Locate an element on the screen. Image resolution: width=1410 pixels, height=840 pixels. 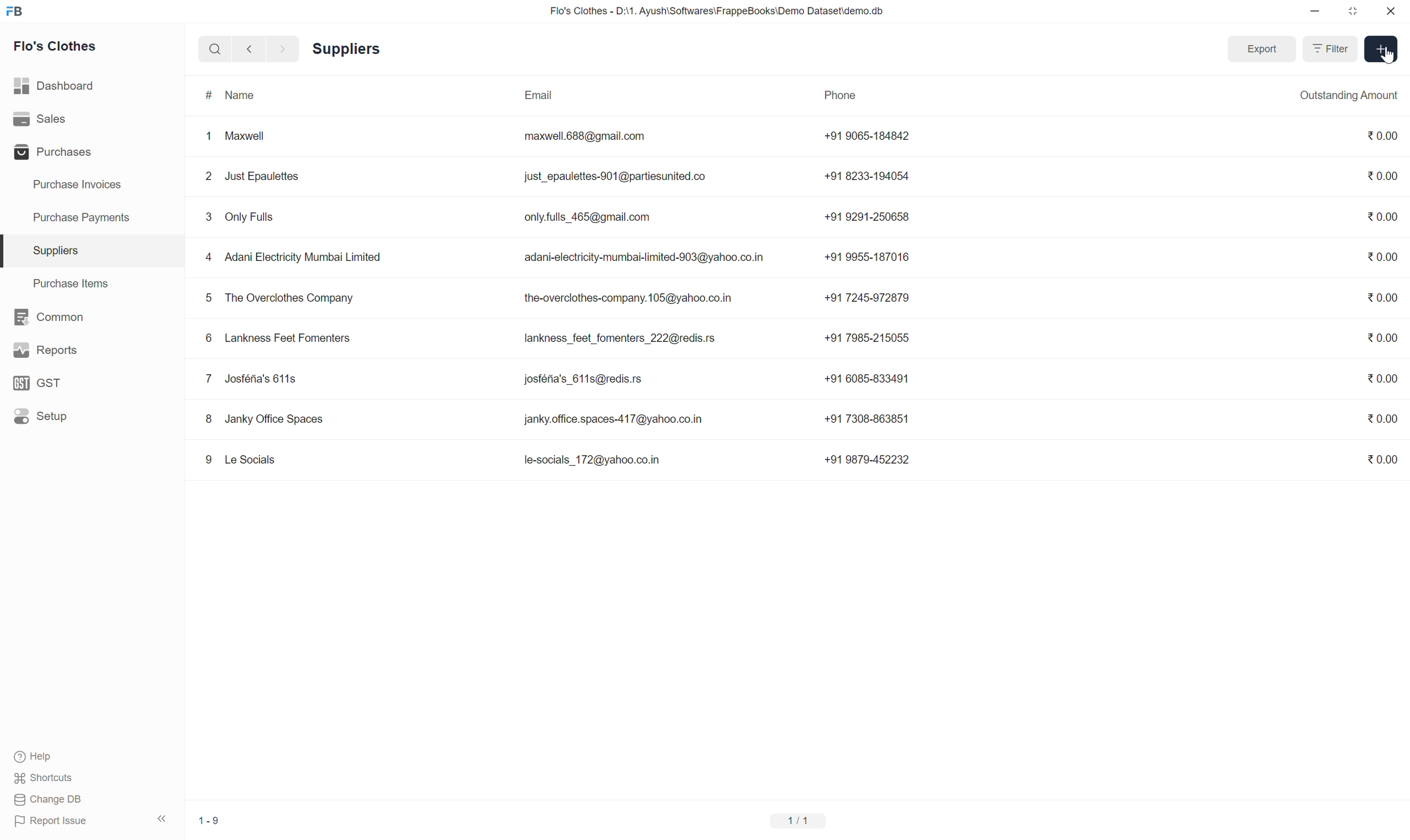
Cursor is located at coordinates (1388, 55).